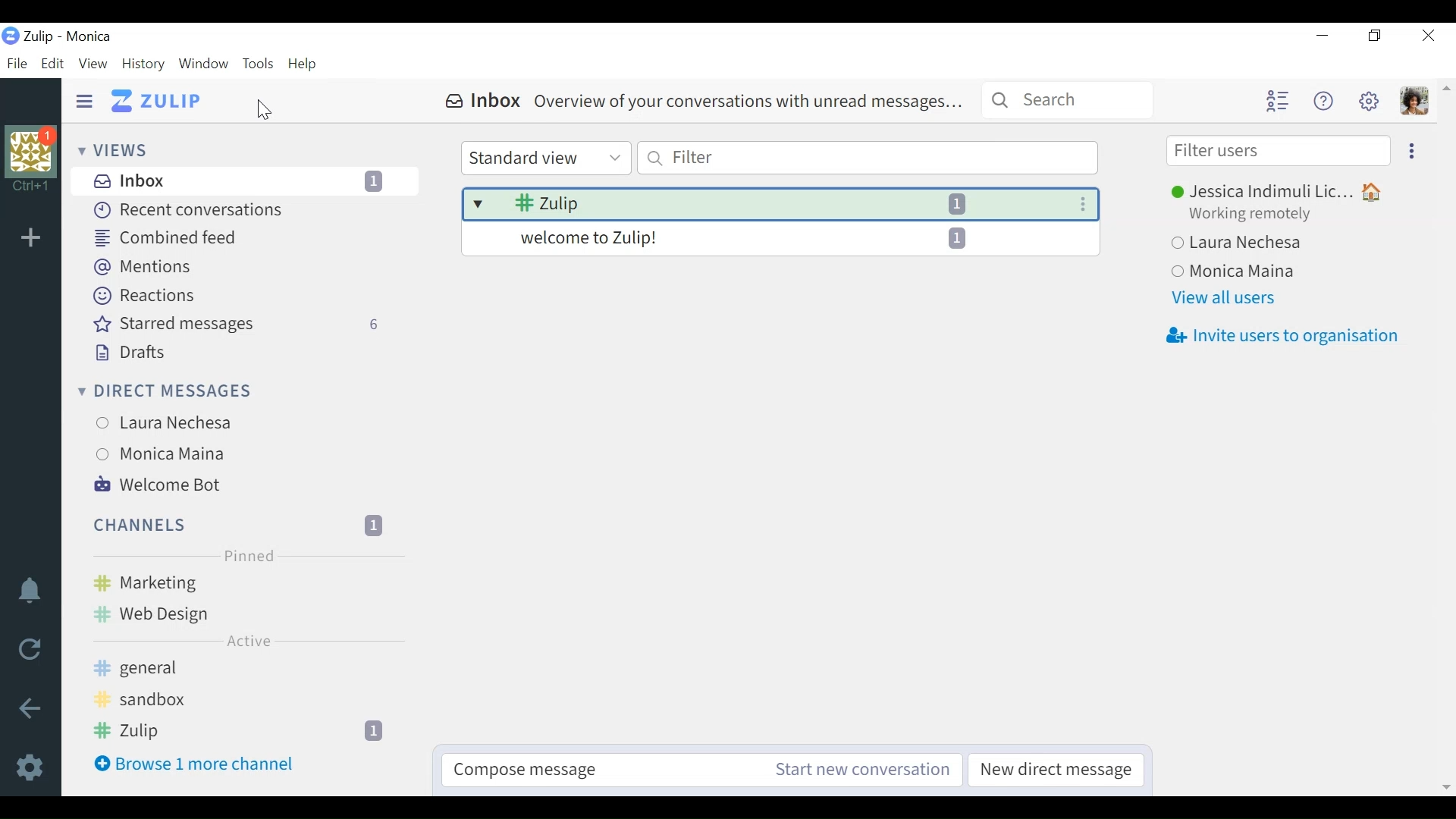  I want to click on Users, so click(180, 425).